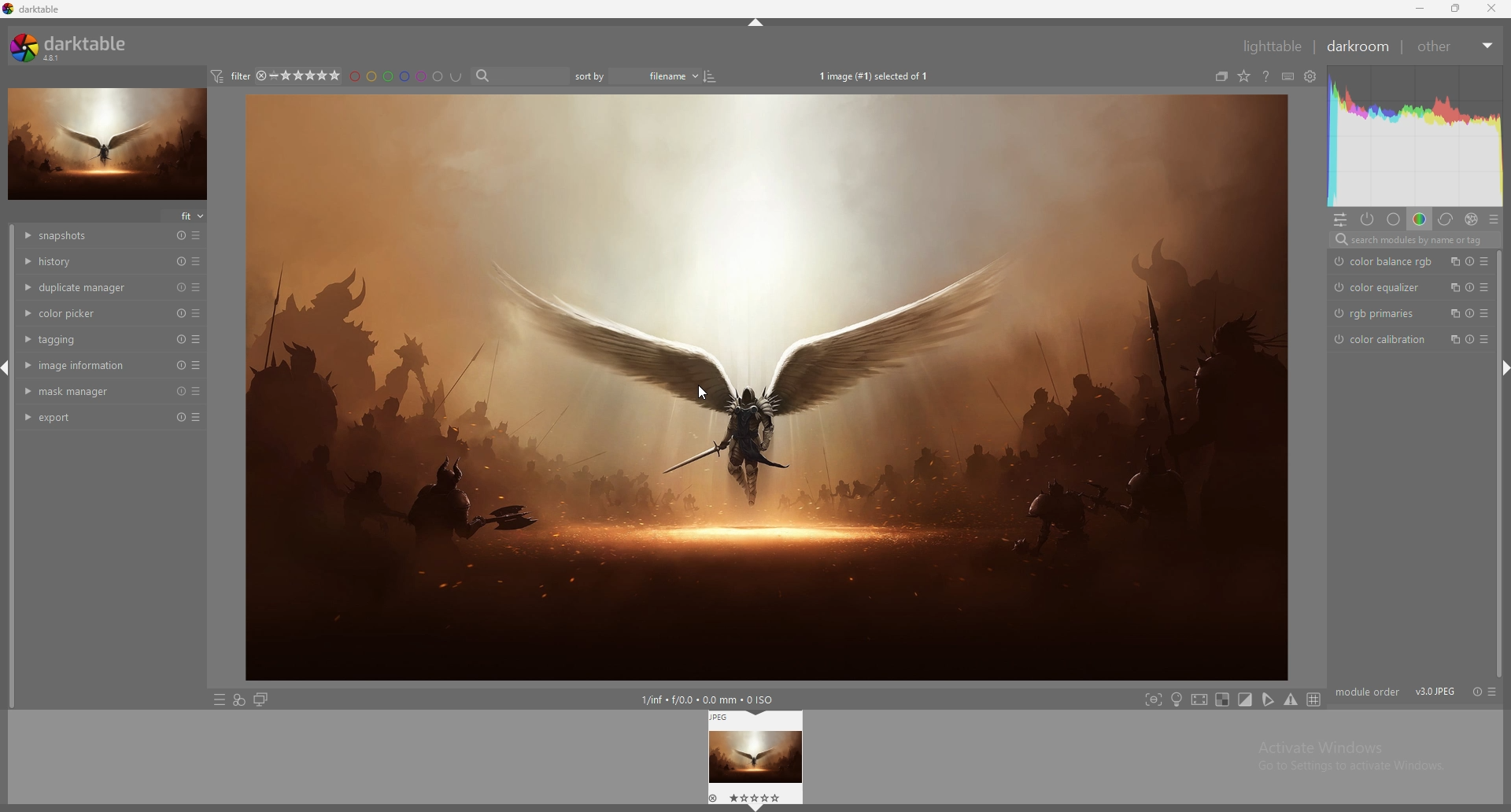  I want to click on change type of overlays, so click(1246, 75).